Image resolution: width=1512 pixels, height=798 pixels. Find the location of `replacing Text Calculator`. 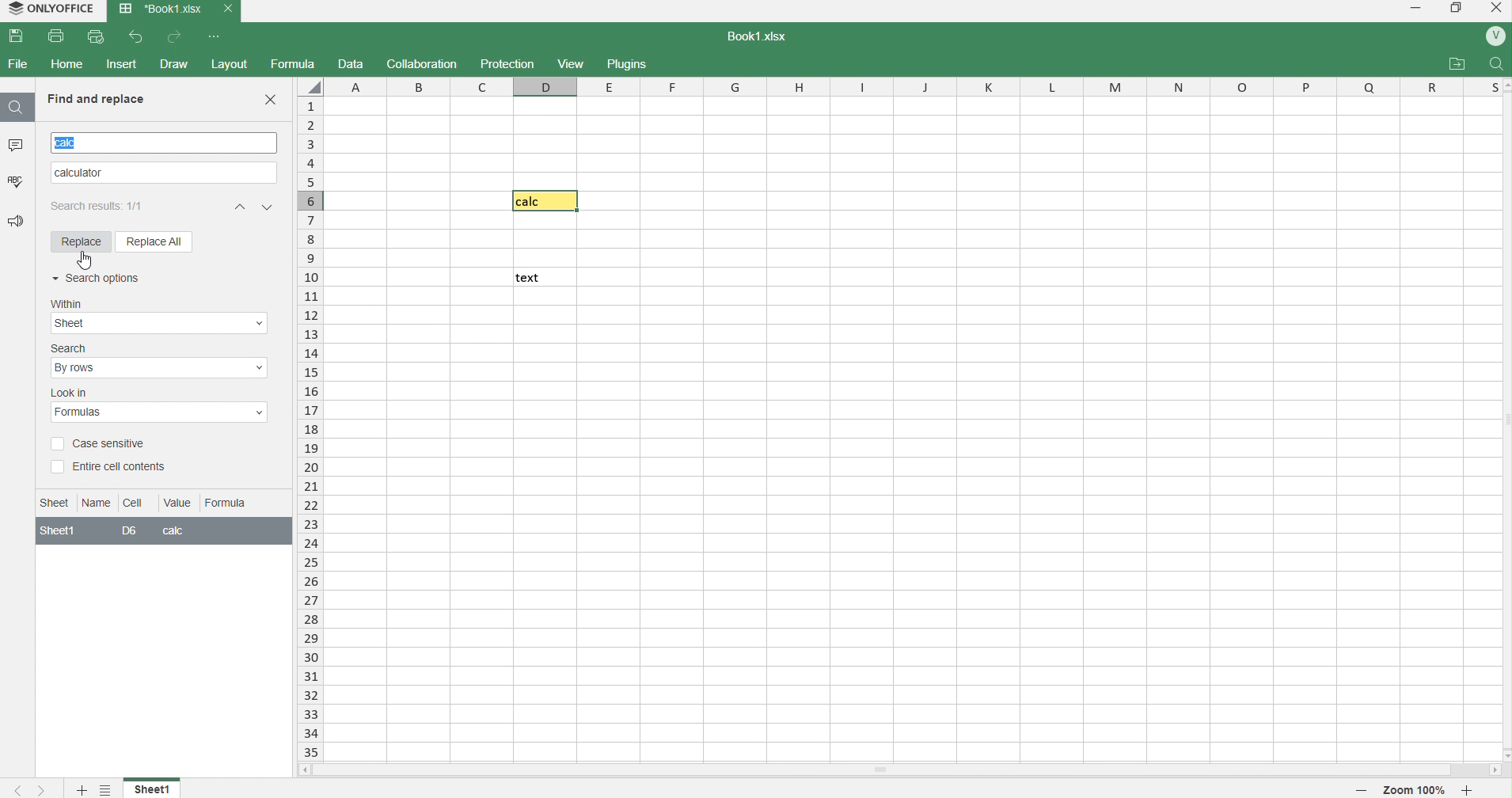

replacing Text Calculator is located at coordinates (161, 174).